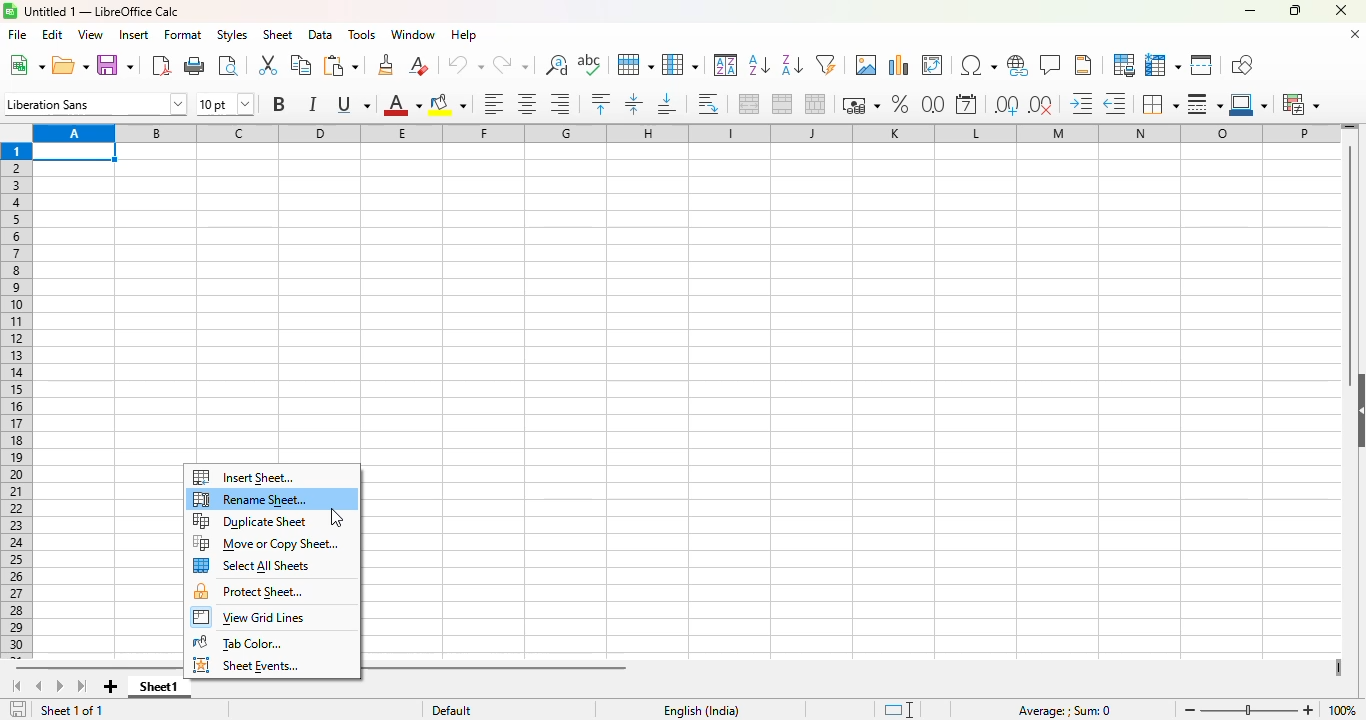  What do you see at coordinates (72, 710) in the screenshot?
I see `sheet 1 of 1` at bounding box center [72, 710].